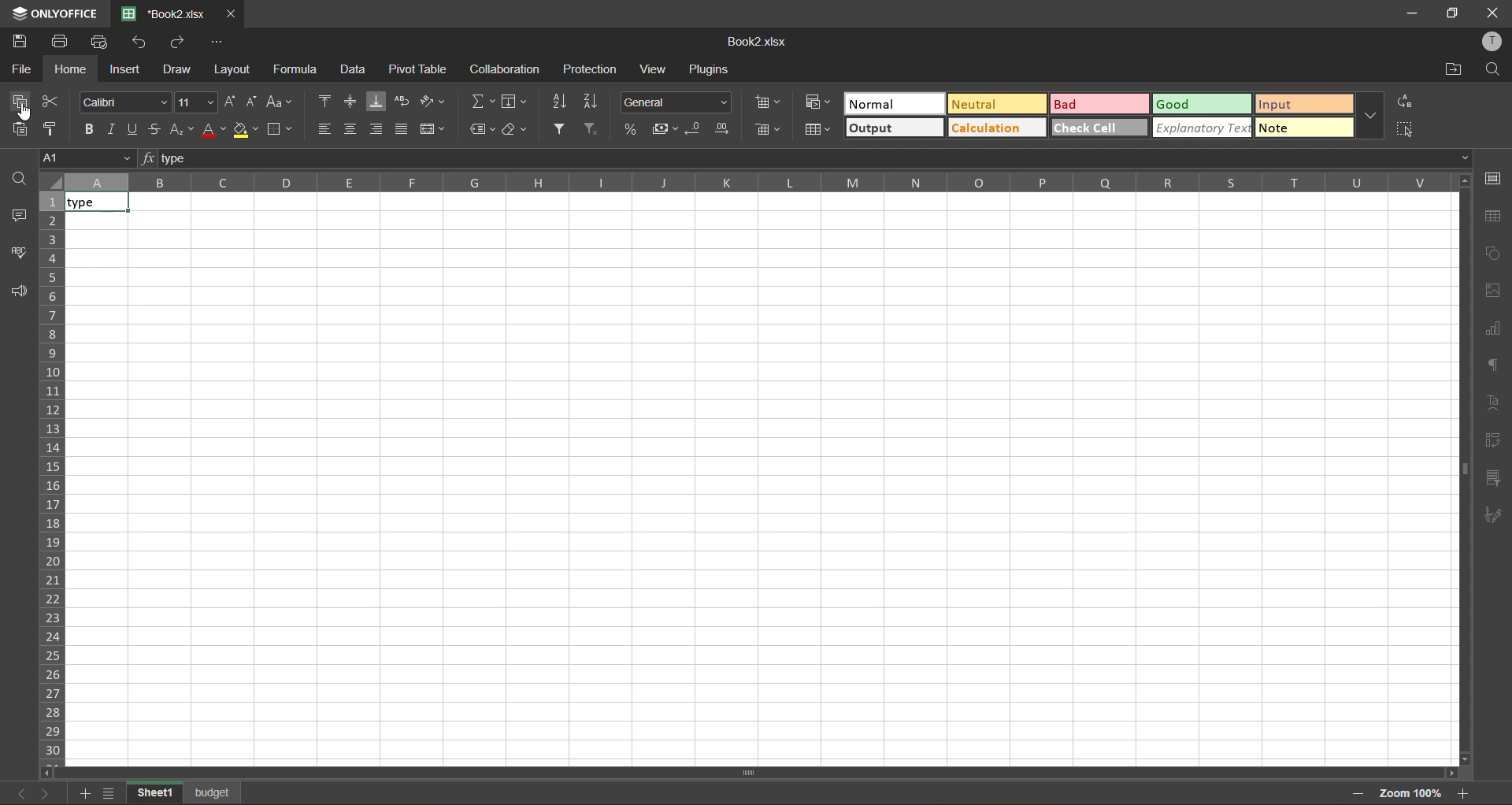 This screenshot has height=805, width=1512. I want to click on redo, so click(178, 43).